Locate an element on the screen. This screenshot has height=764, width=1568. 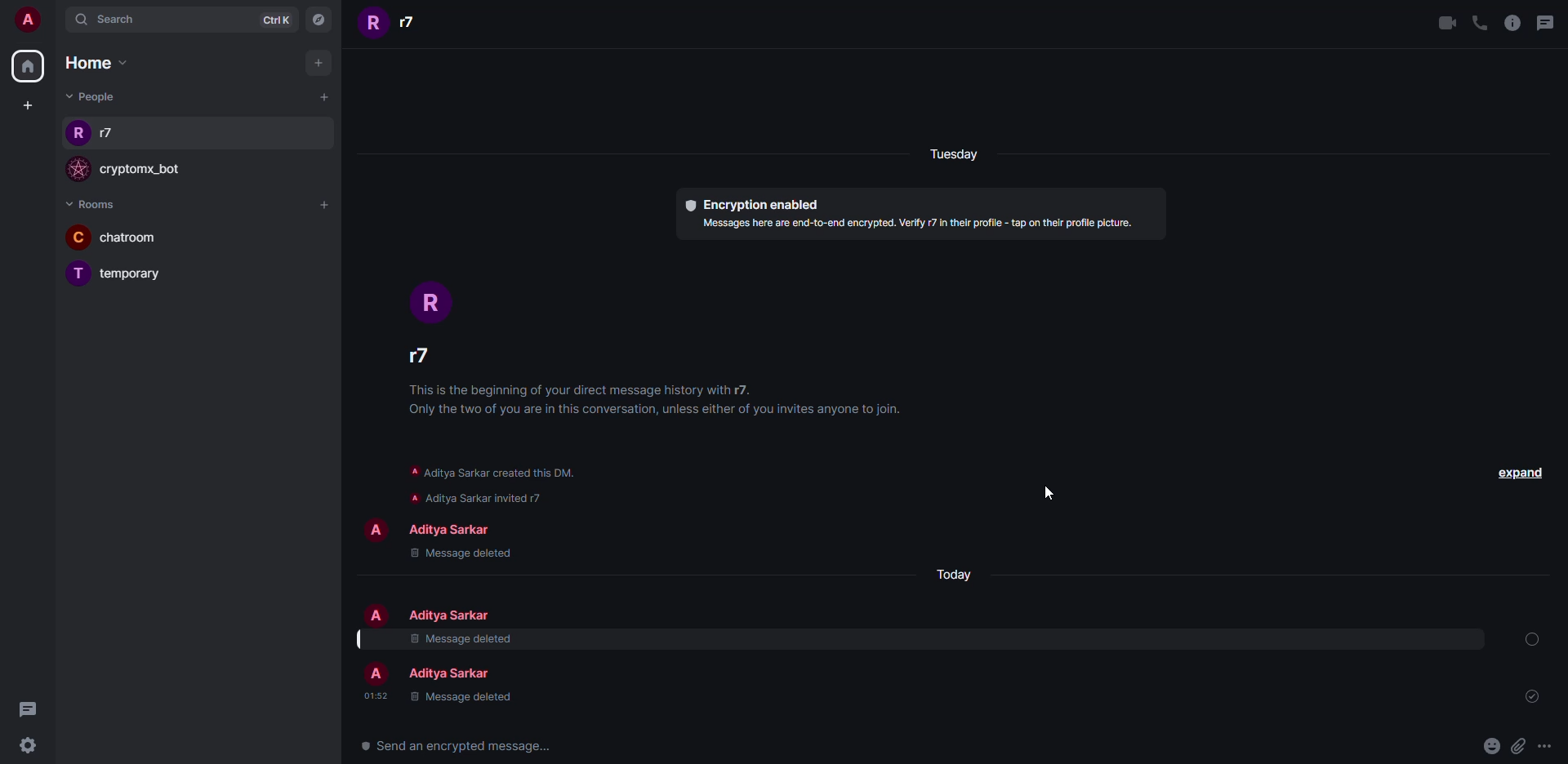
room is located at coordinates (149, 274).